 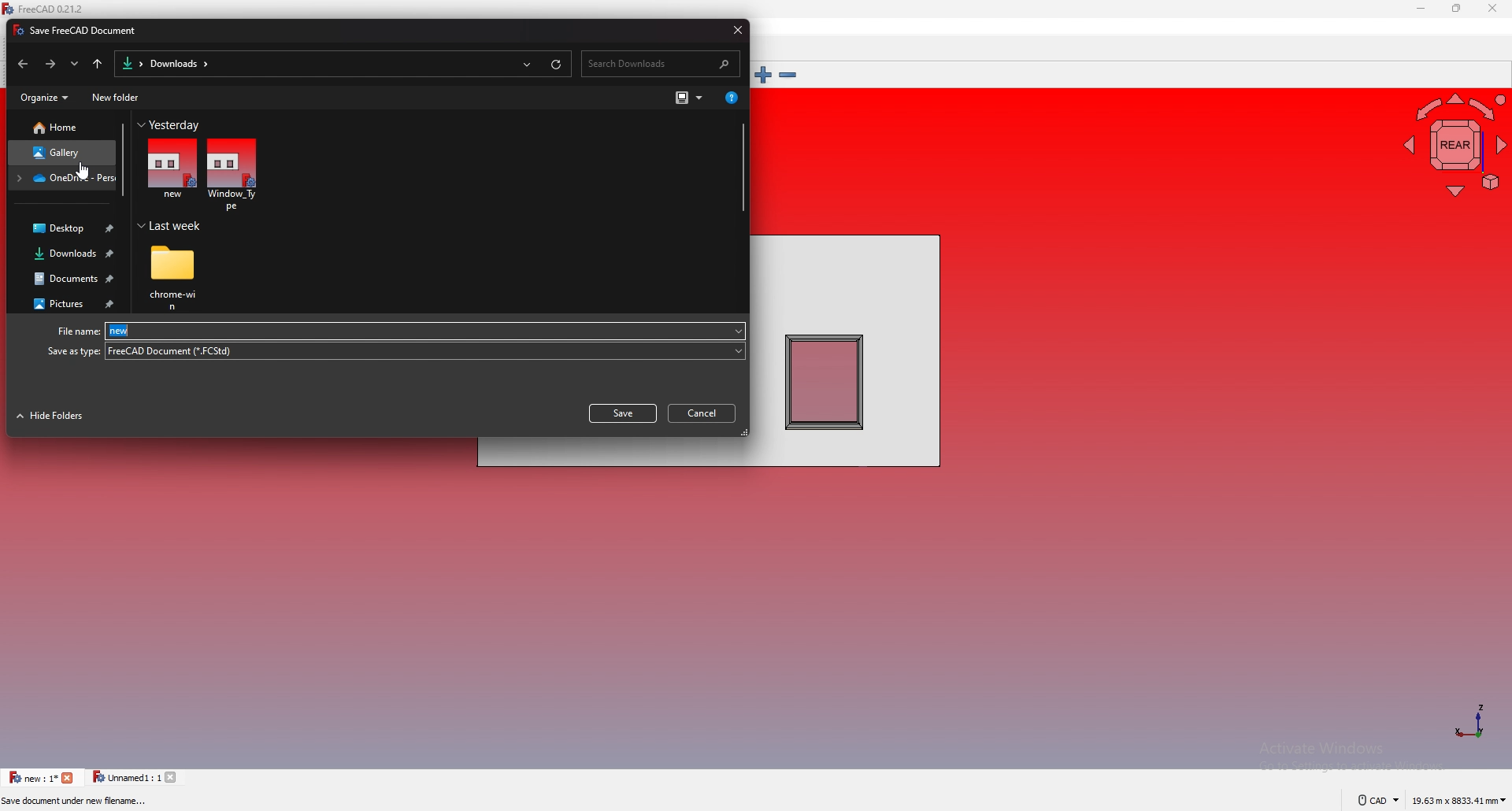 I want to click on cursor, so click(x=83, y=172).